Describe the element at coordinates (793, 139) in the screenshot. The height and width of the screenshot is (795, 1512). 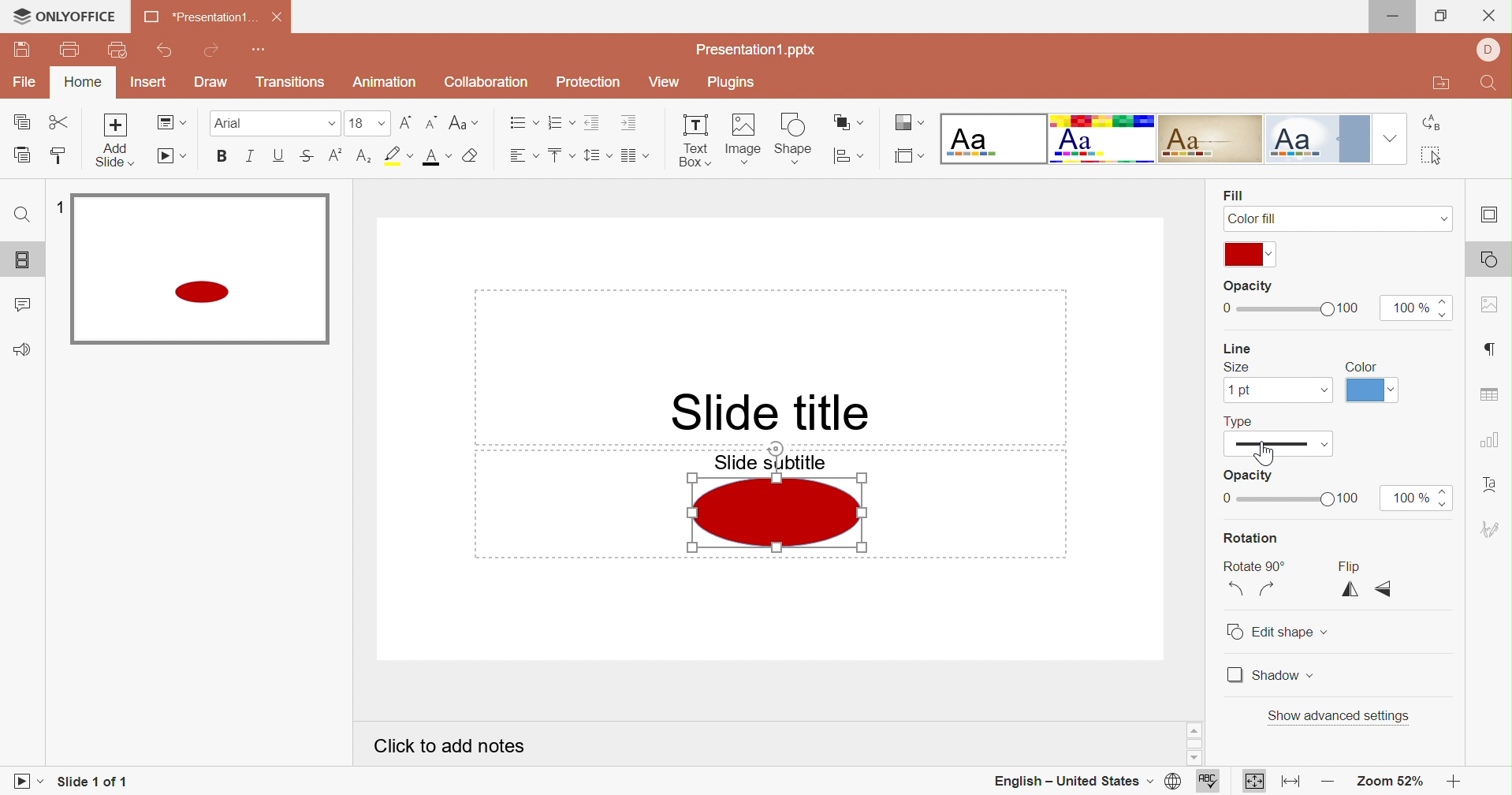
I see `Shape` at that location.